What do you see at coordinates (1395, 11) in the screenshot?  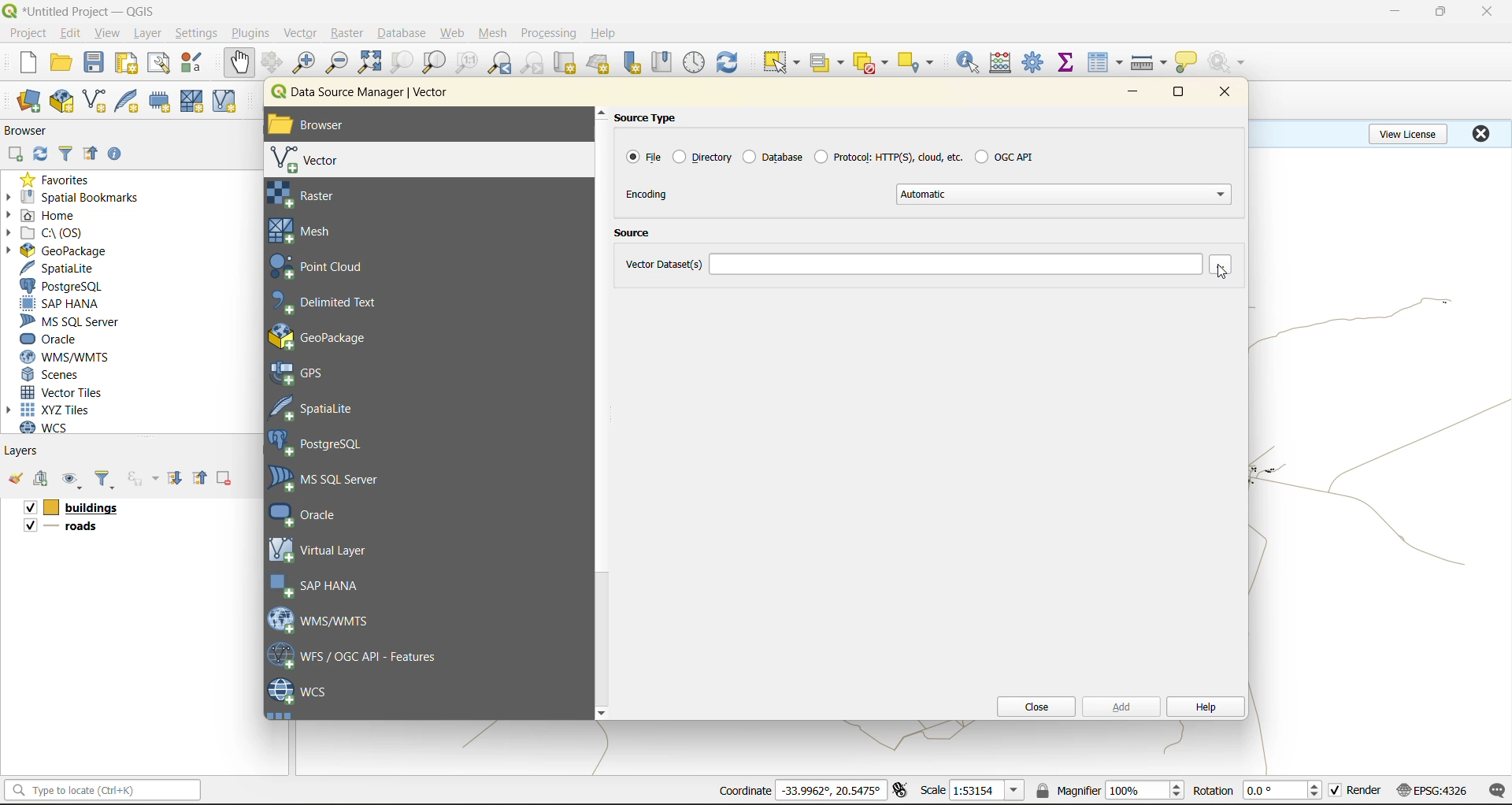 I see `minimize` at bounding box center [1395, 11].